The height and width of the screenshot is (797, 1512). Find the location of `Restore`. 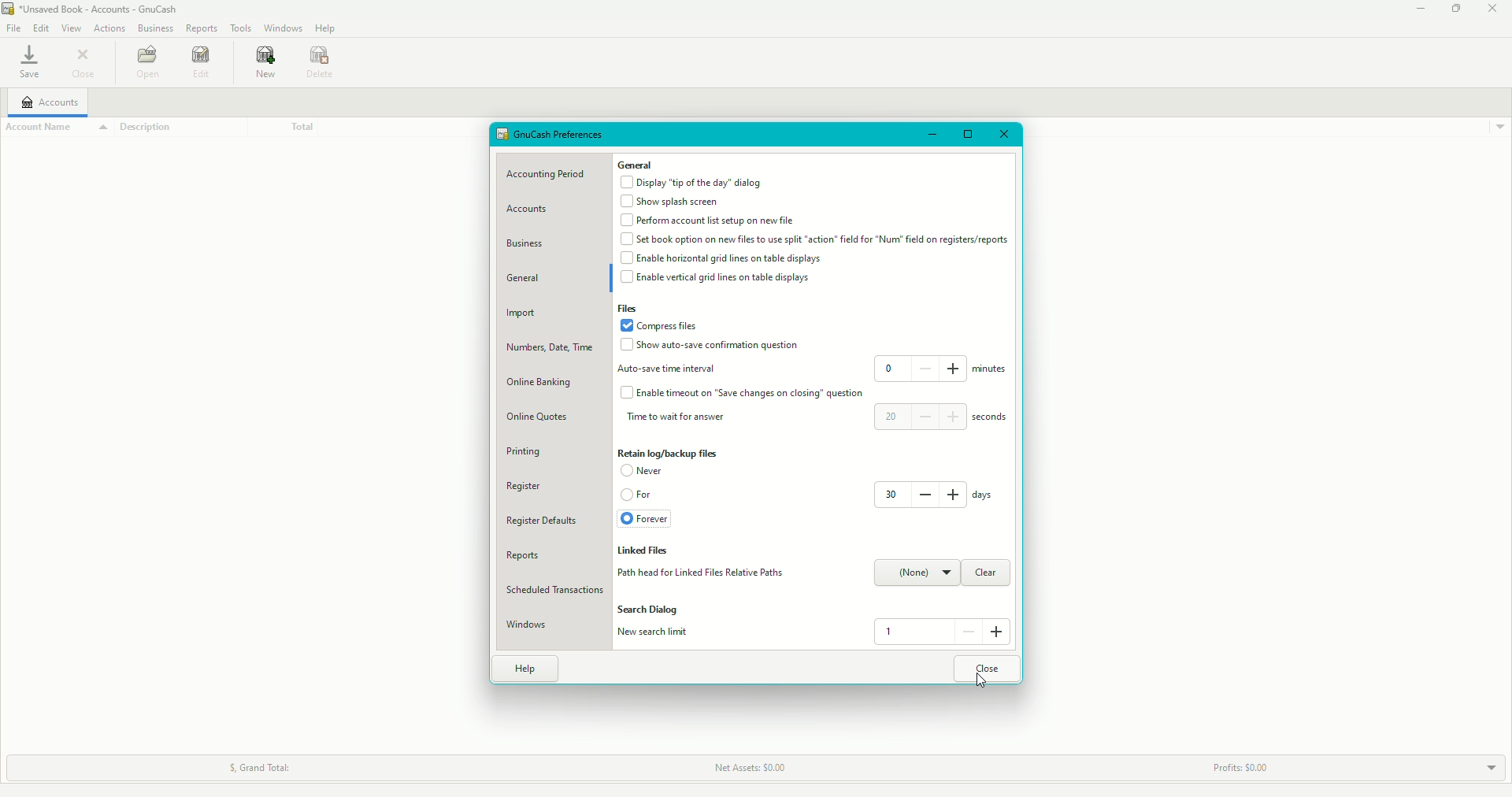

Restore is located at coordinates (966, 135).